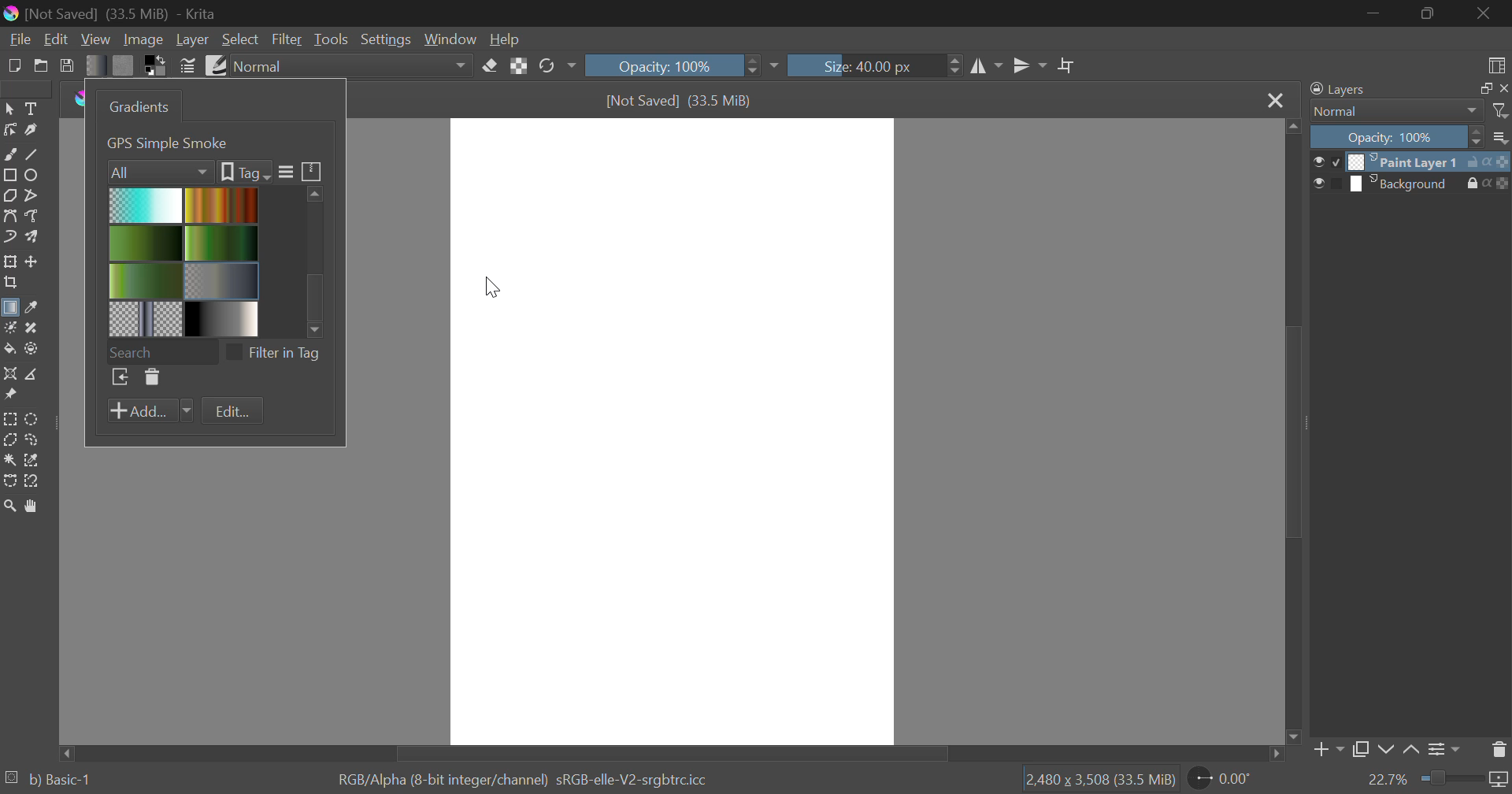  What do you see at coordinates (1476, 161) in the screenshot?
I see `unlock` at bounding box center [1476, 161].